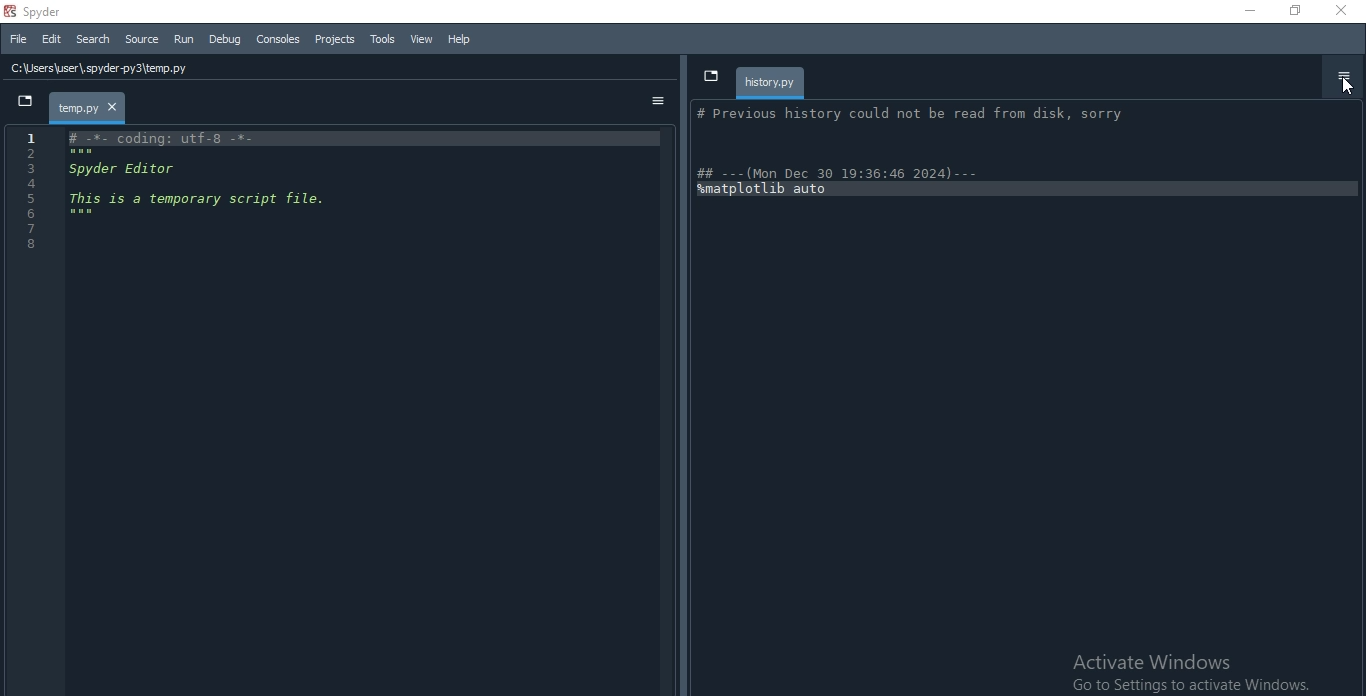  Describe the element at coordinates (917, 116) in the screenshot. I see `}| # Previous history could not be read from disk, sorry` at that location.